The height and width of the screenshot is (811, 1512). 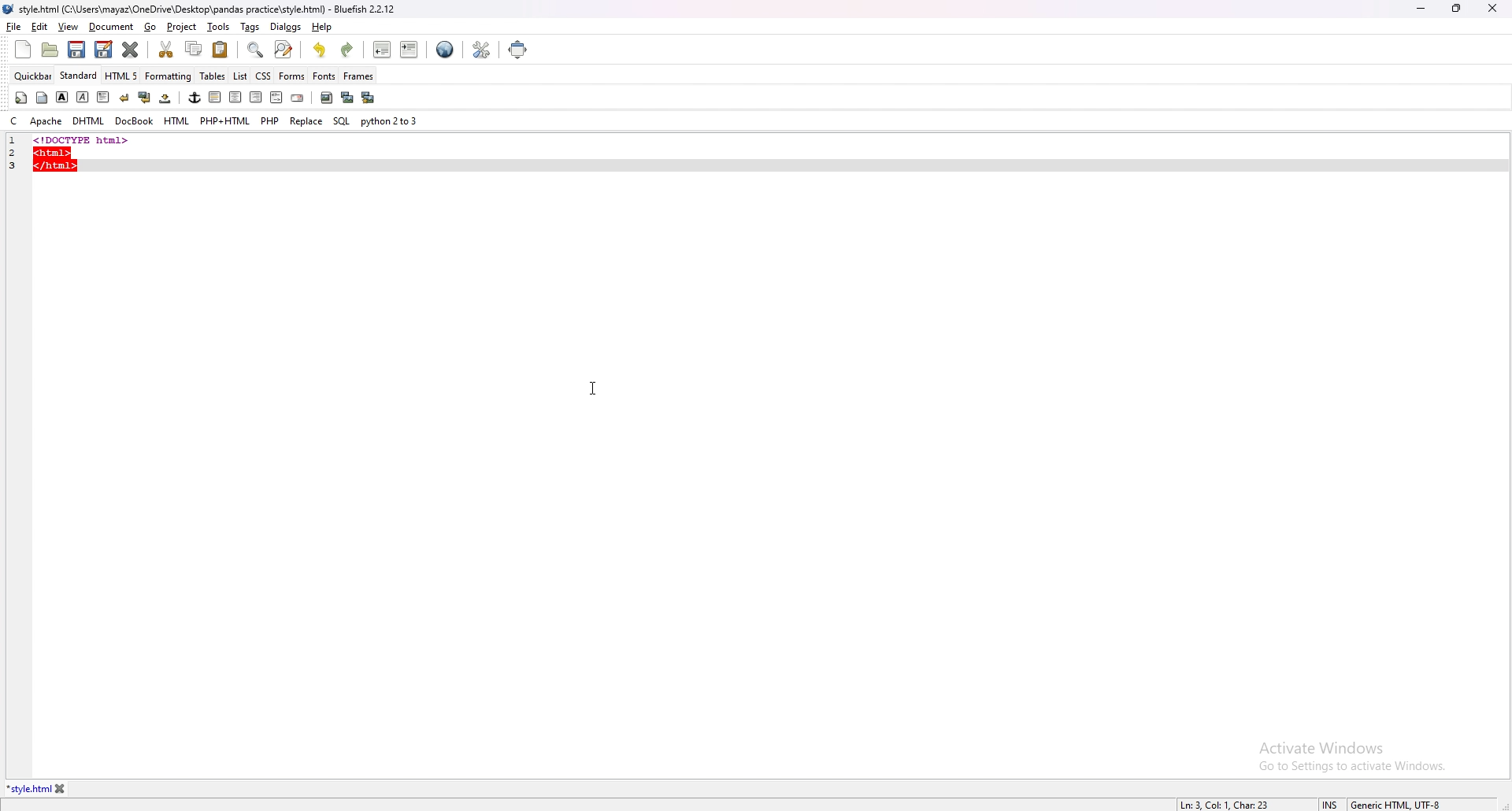 I want to click on apache, so click(x=46, y=121).